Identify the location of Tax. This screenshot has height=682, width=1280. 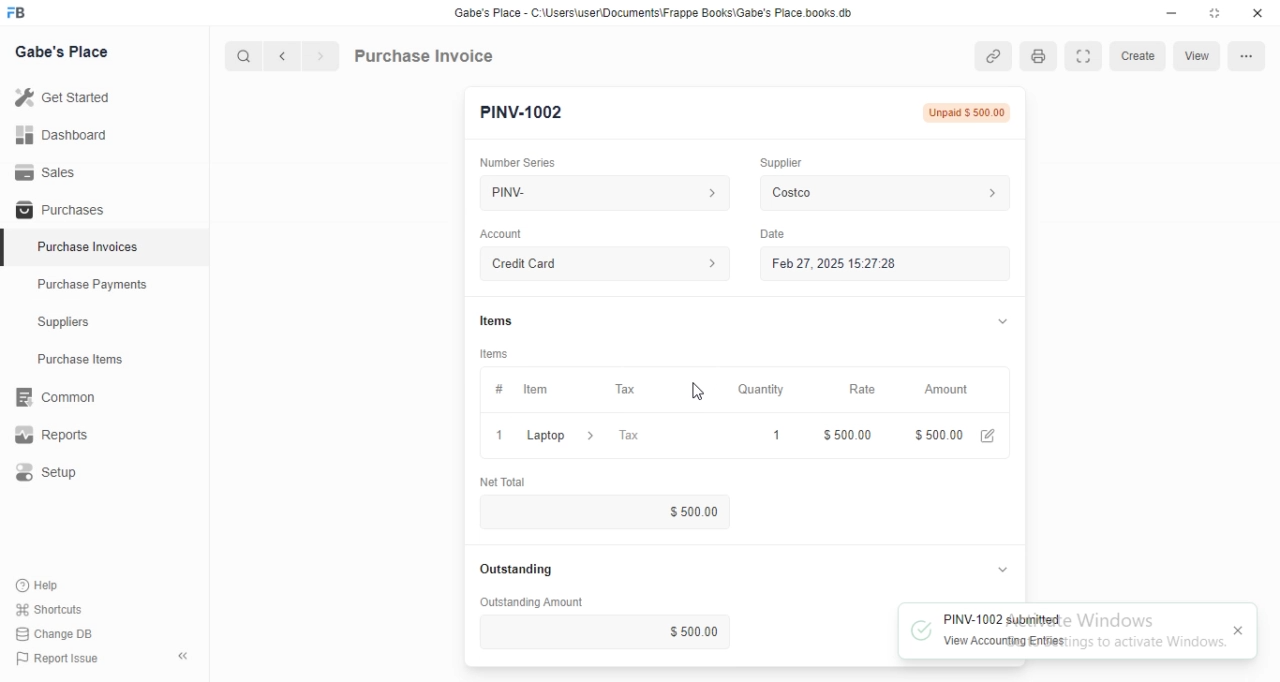
(650, 389).